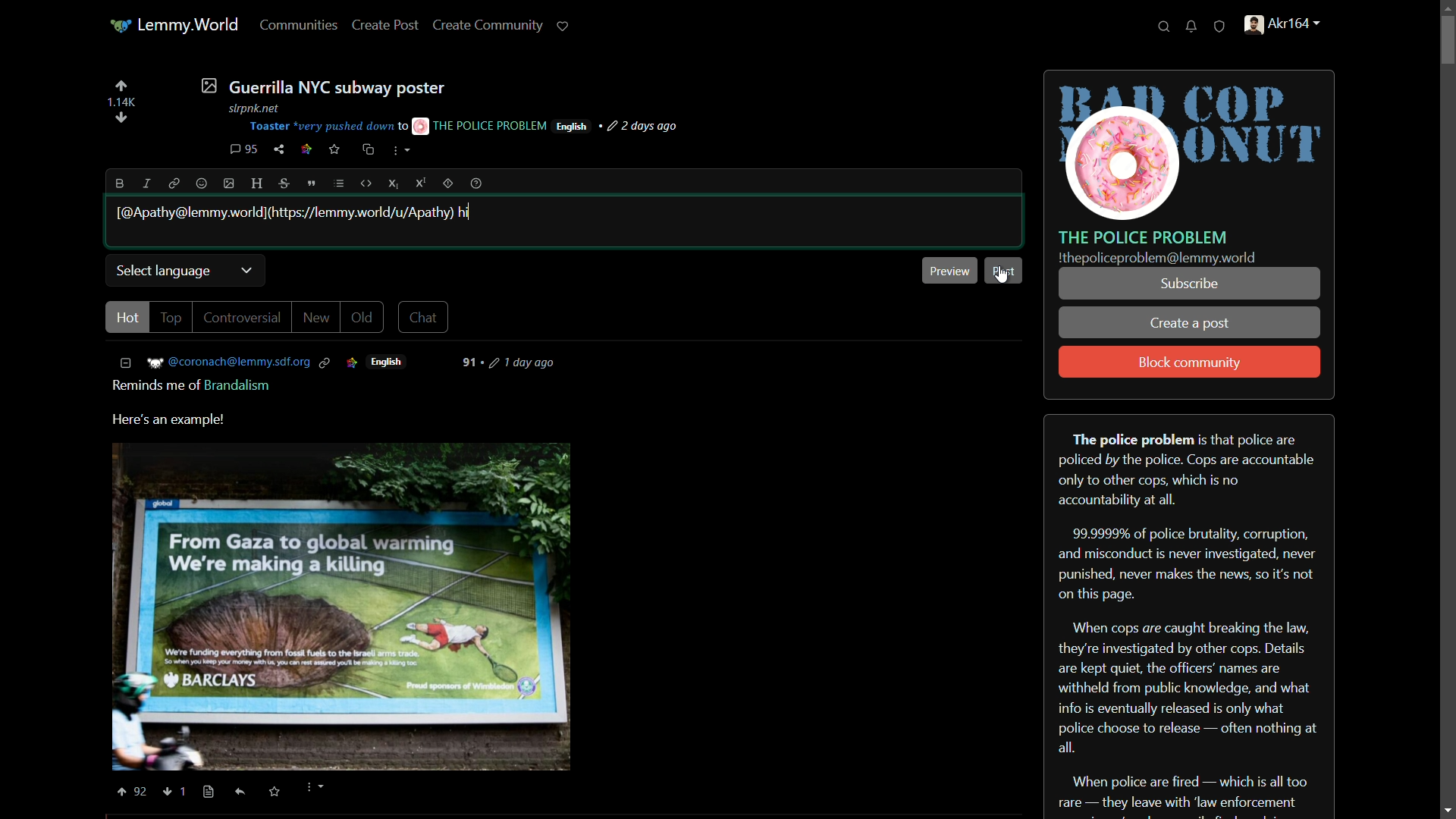 The height and width of the screenshot is (819, 1456). Describe the element at coordinates (1291, 27) in the screenshot. I see `handle` at that location.